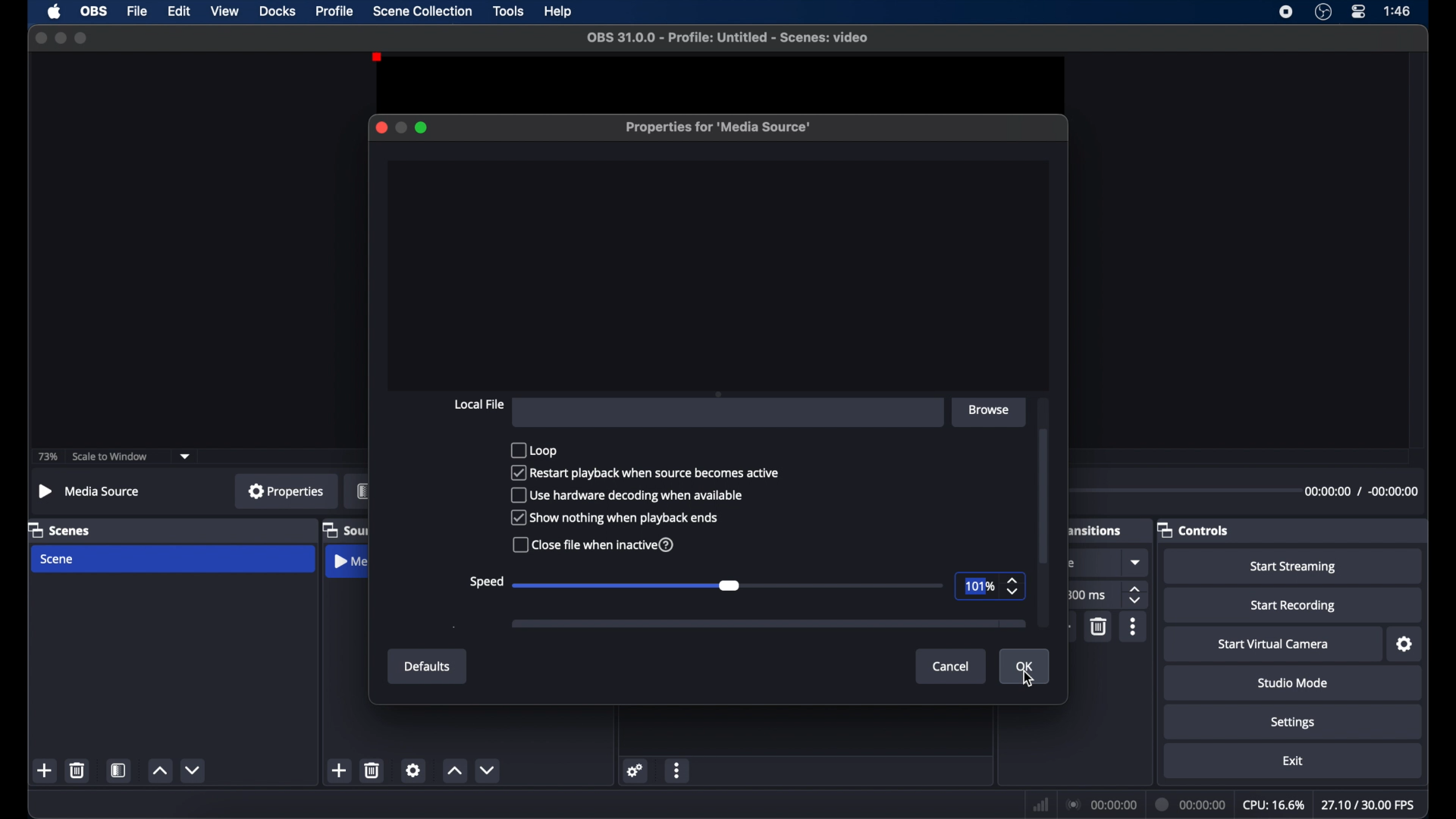  What do you see at coordinates (560, 13) in the screenshot?
I see `help` at bounding box center [560, 13].